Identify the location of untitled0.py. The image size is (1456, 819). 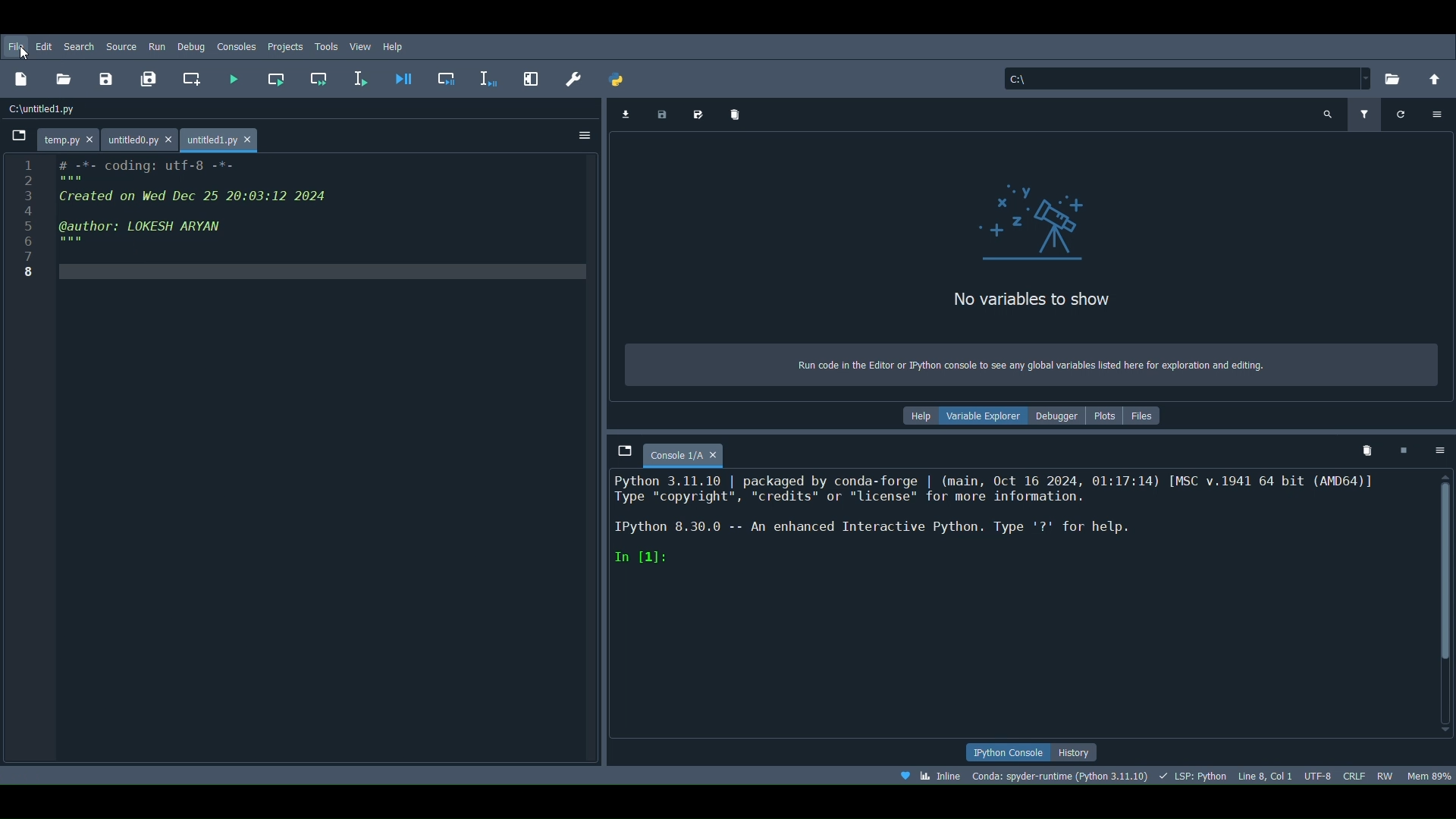
(143, 134).